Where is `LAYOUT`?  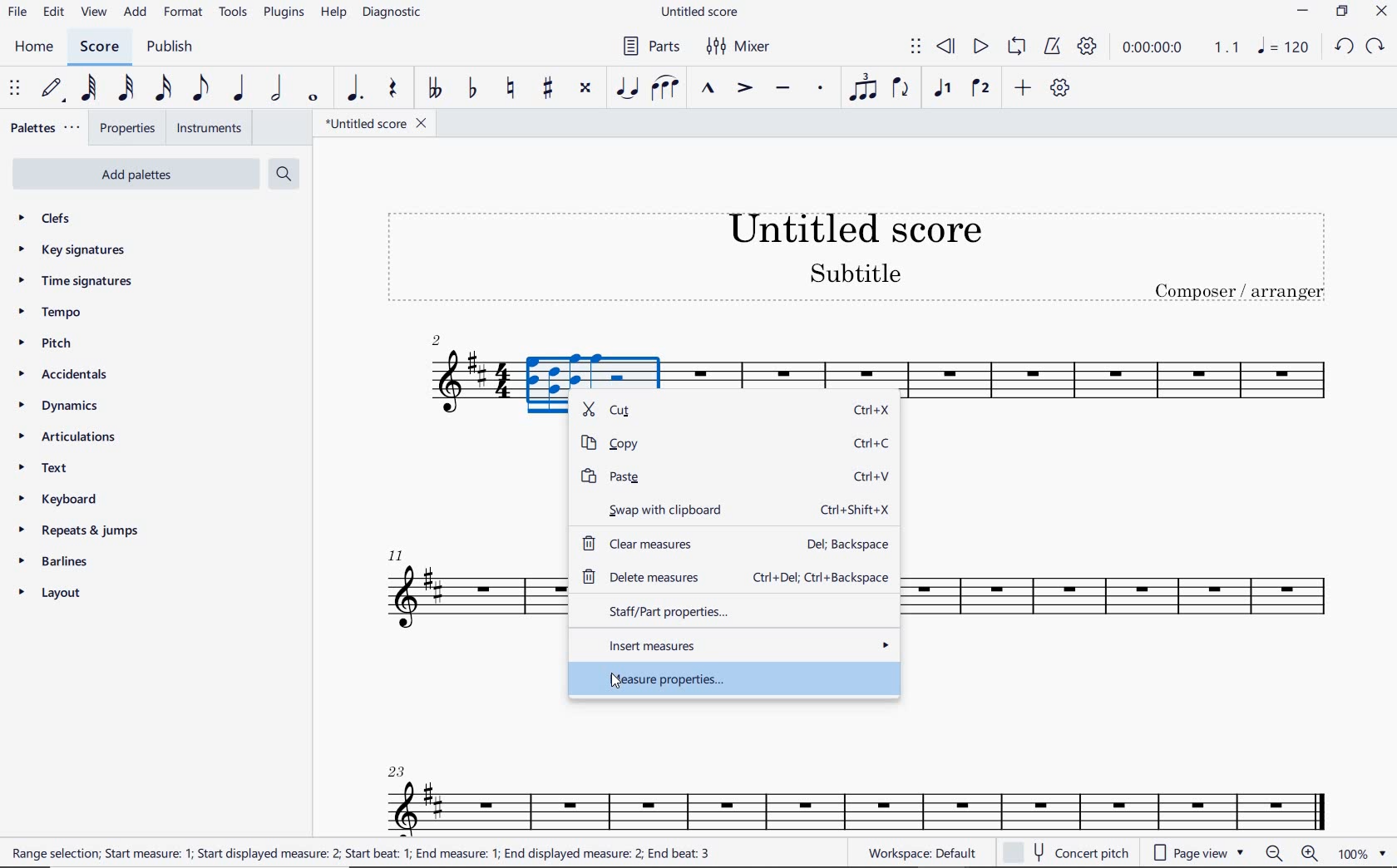 LAYOUT is located at coordinates (53, 596).